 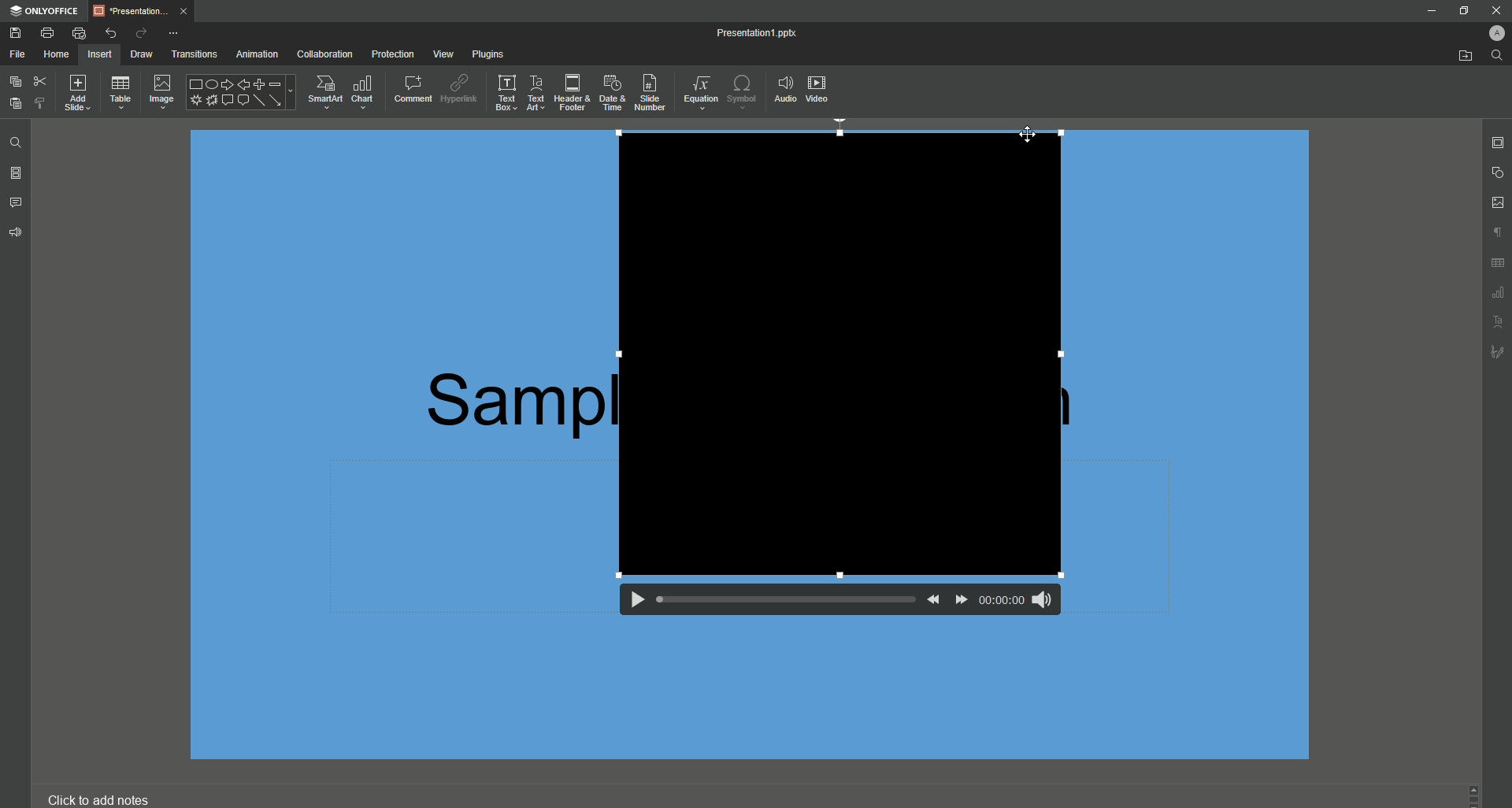 What do you see at coordinates (46, 9) in the screenshot?
I see `ONLYOFFICE` at bounding box center [46, 9].